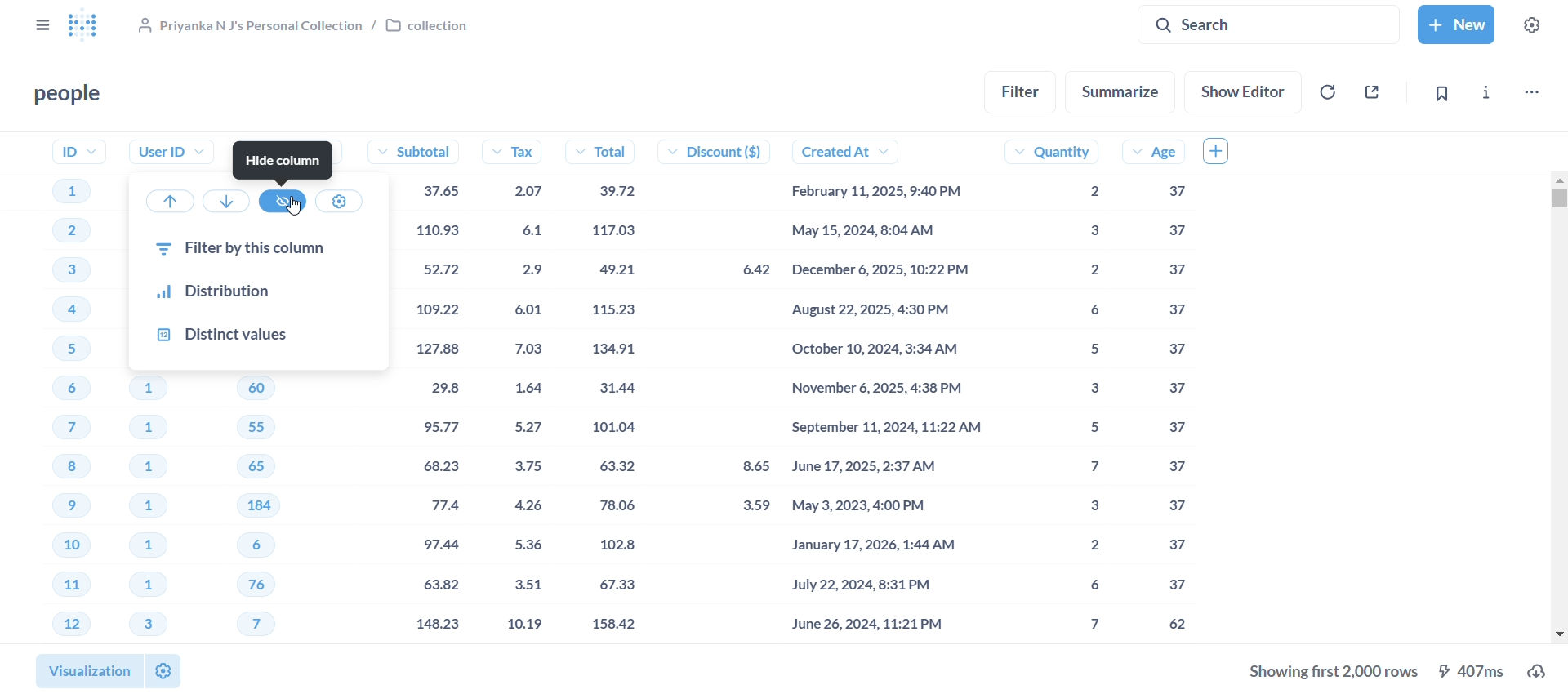 This screenshot has height=694, width=1568. Describe the element at coordinates (338, 200) in the screenshot. I see `column formatting` at that location.